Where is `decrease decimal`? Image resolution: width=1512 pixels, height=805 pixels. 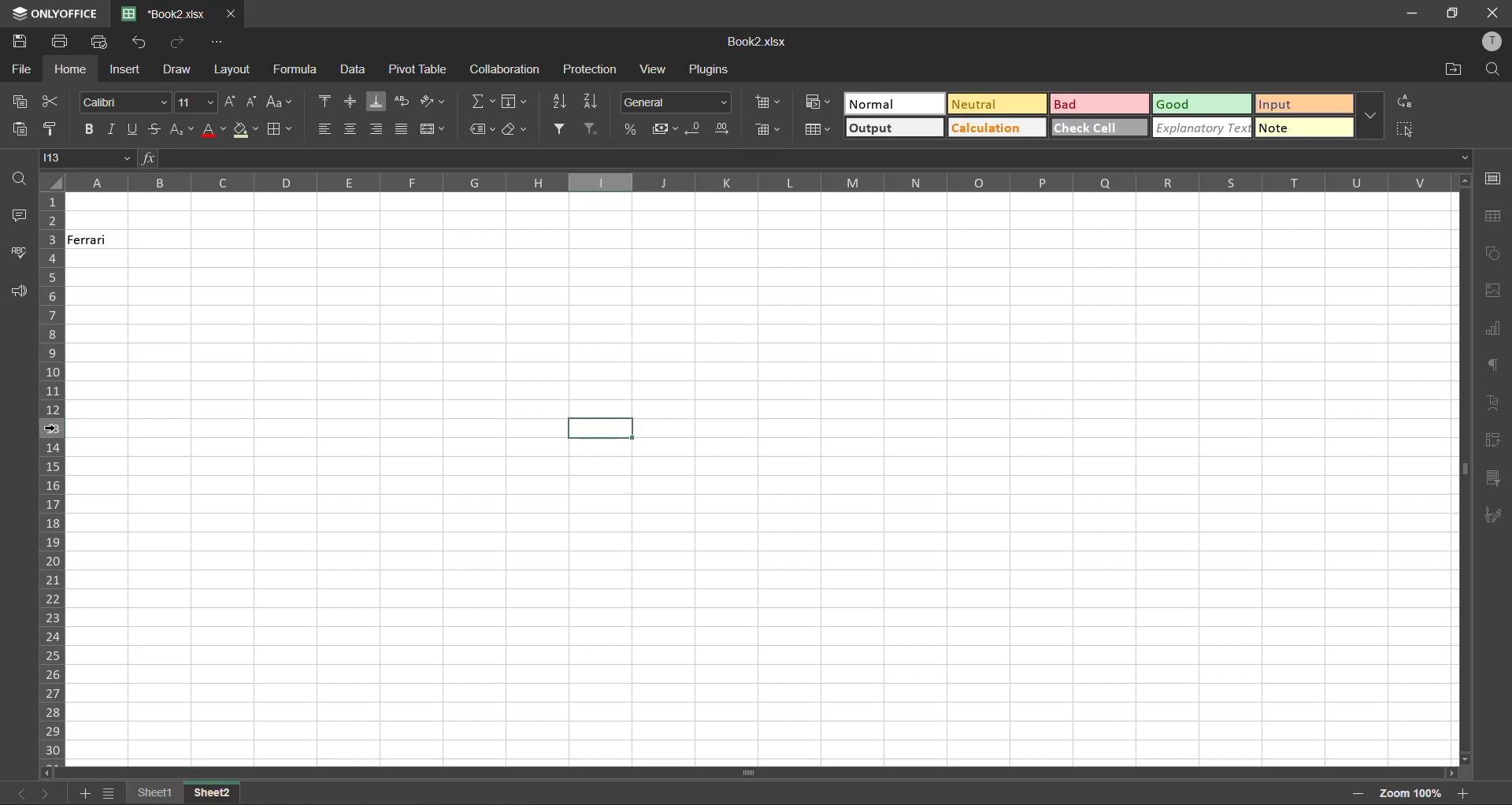 decrease decimal is located at coordinates (696, 128).